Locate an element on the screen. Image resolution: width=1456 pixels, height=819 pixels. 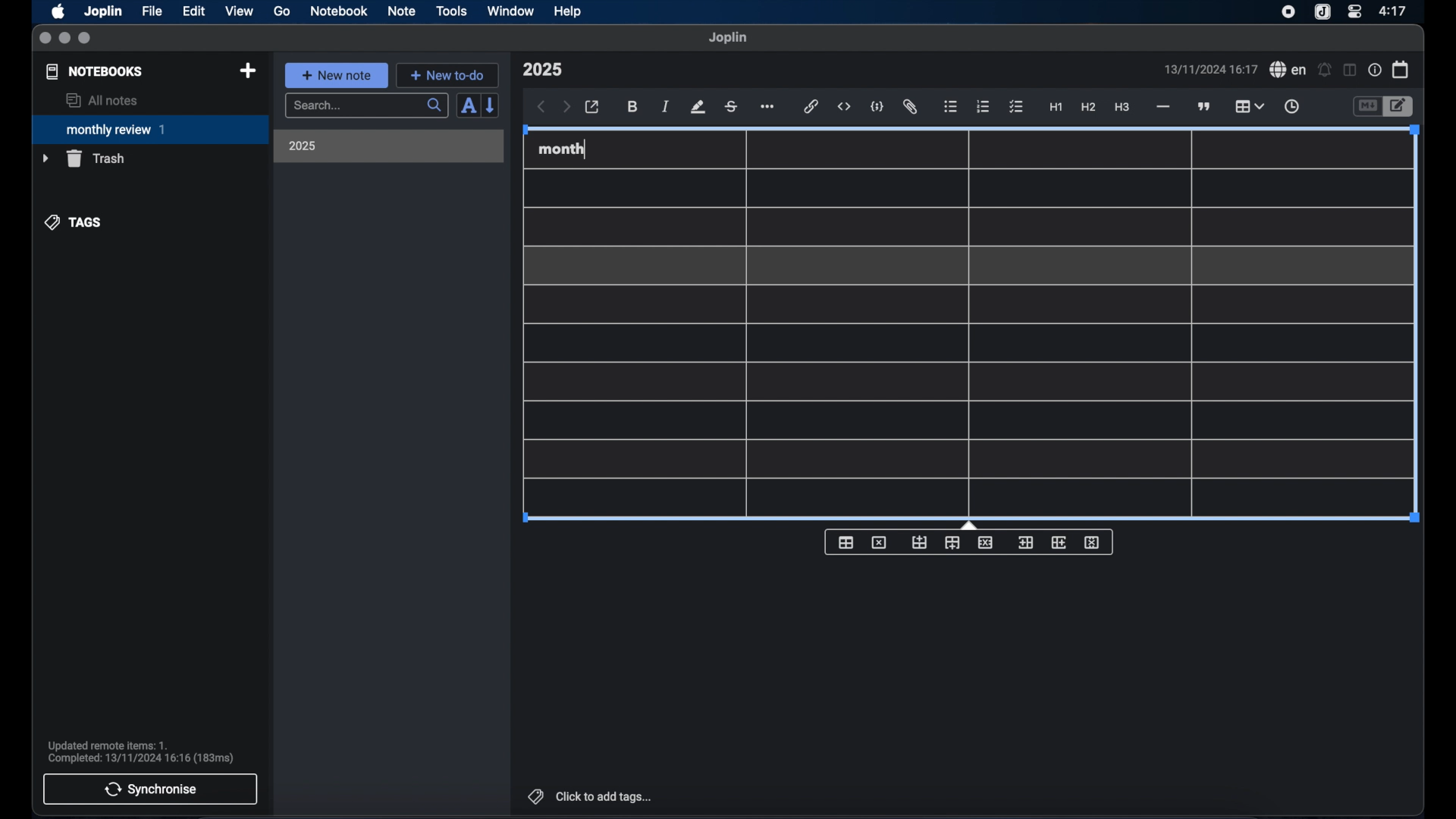
screen recorder icon is located at coordinates (1288, 12).